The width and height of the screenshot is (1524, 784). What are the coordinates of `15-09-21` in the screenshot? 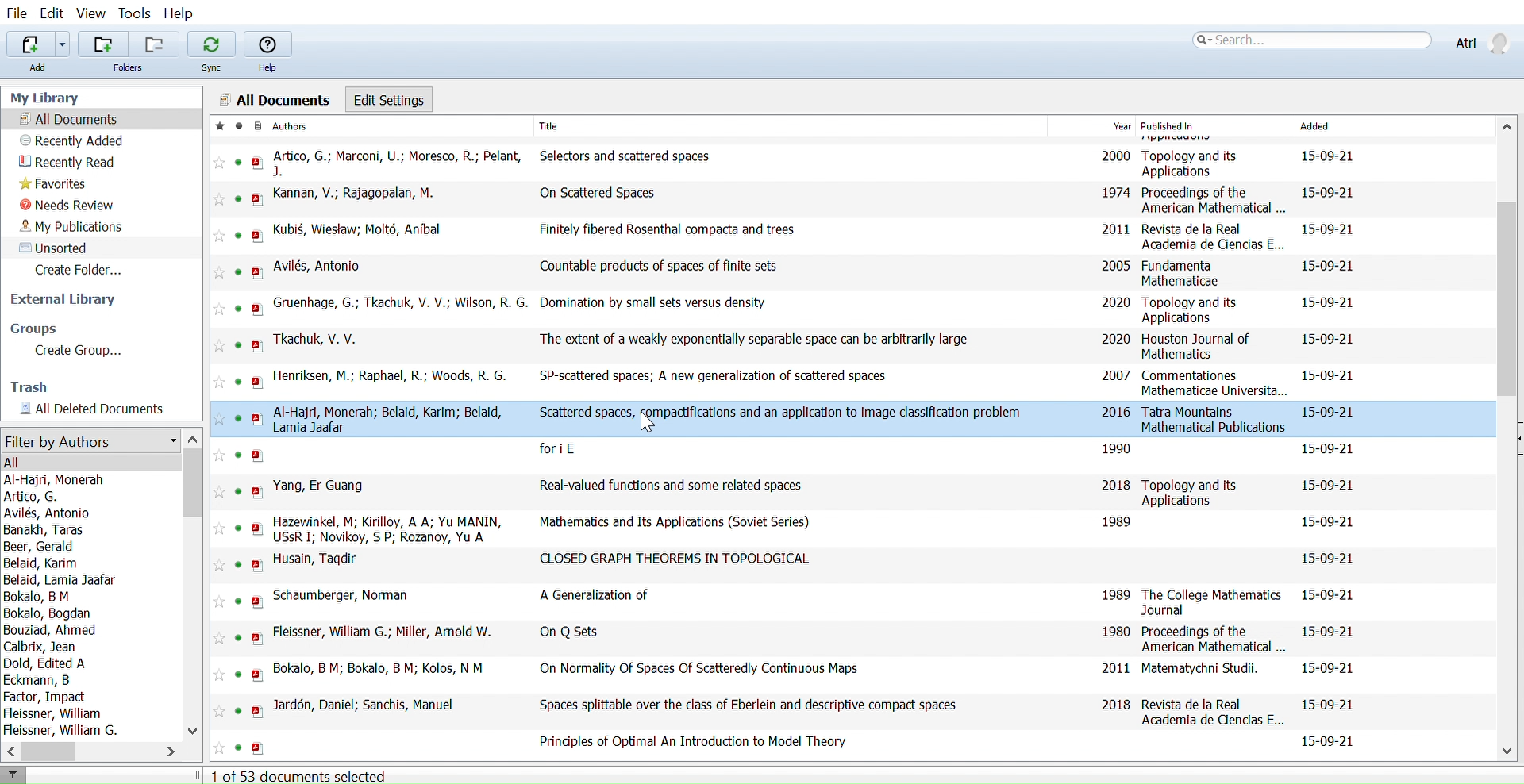 It's located at (1330, 155).